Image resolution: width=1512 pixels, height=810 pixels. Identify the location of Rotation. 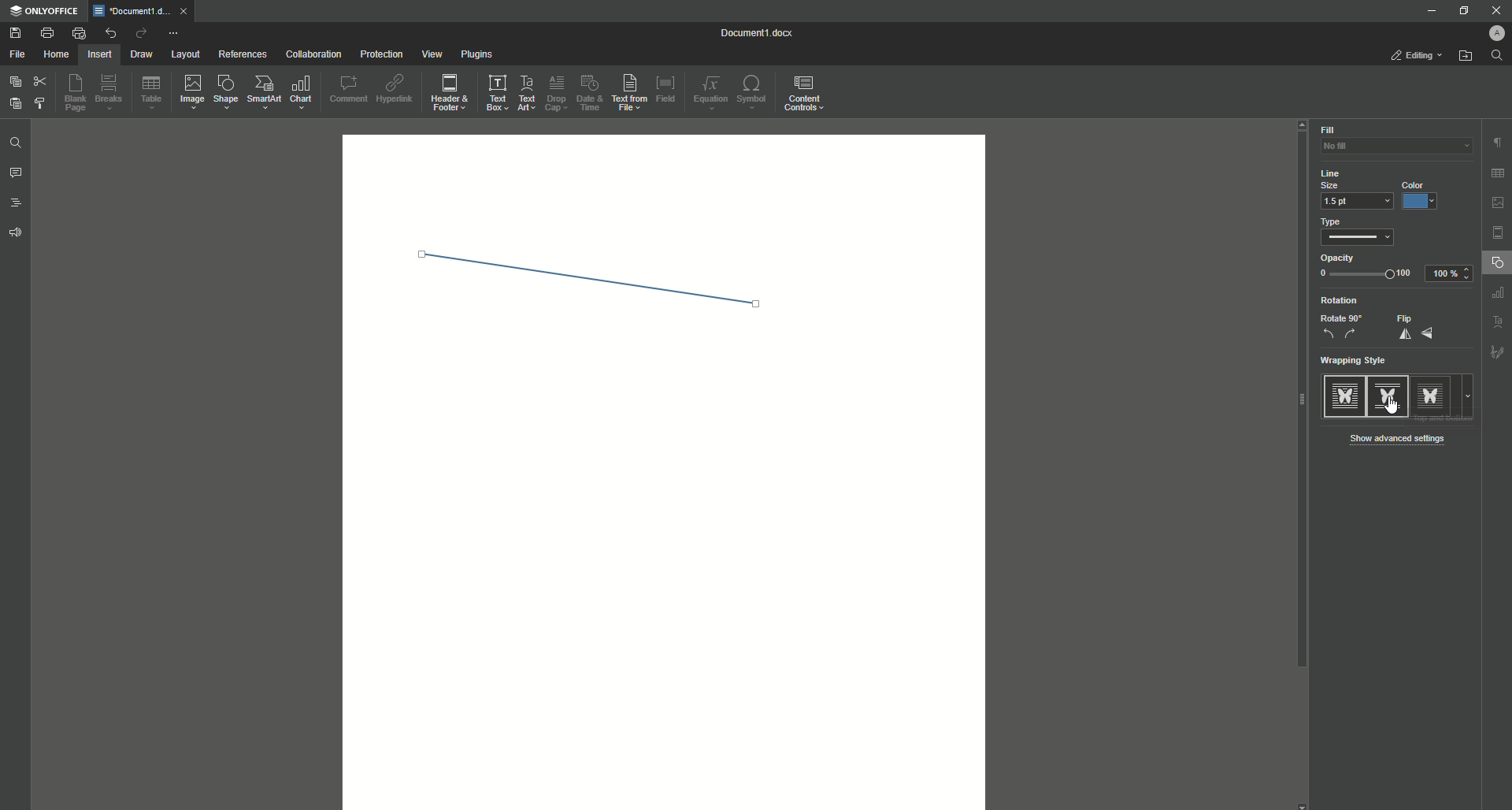
(1337, 300).